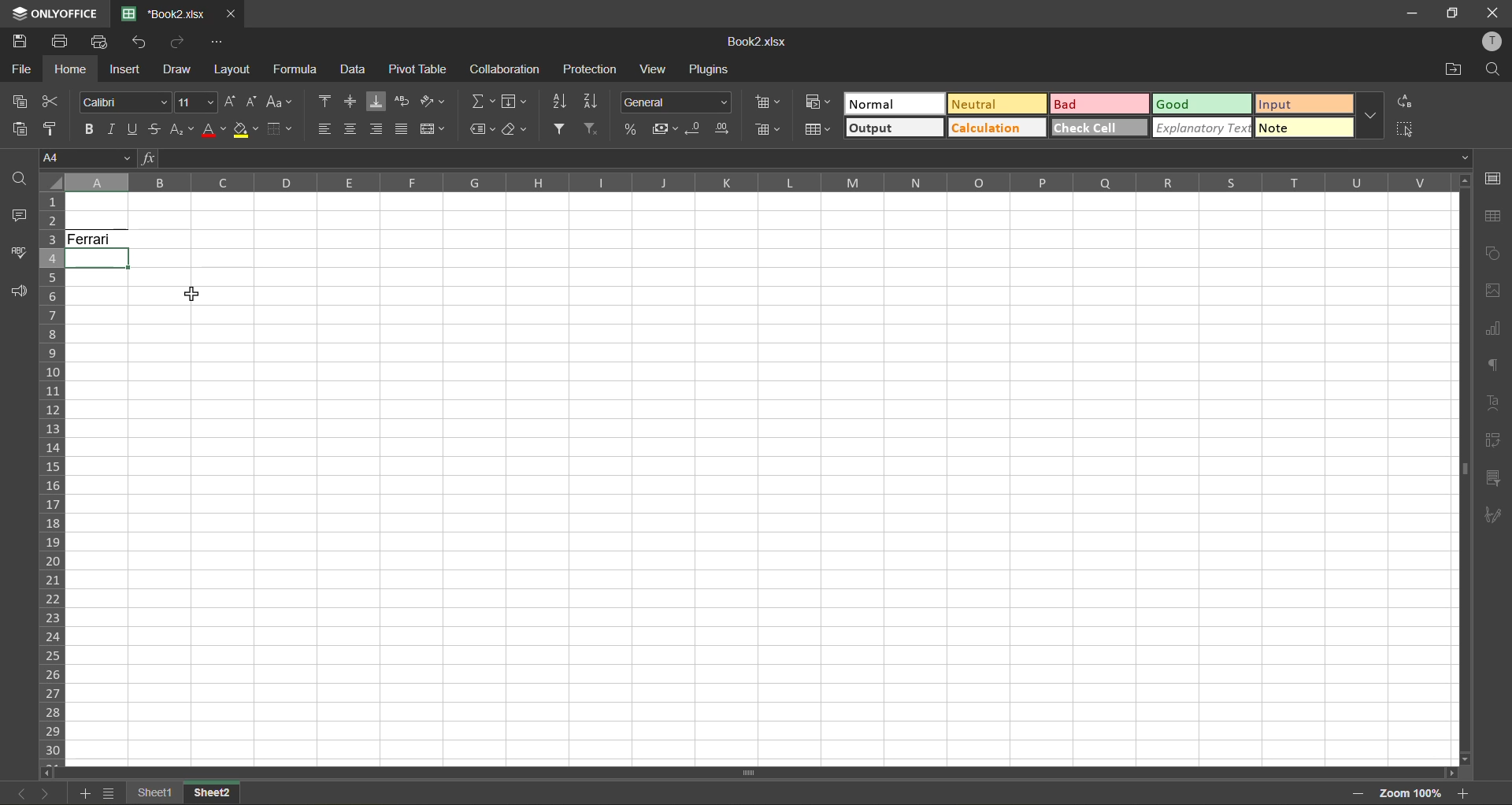 The width and height of the screenshot is (1512, 805). Describe the element at coordinates (156, 128) in the screenshot. I see `strikethrough` at that location.